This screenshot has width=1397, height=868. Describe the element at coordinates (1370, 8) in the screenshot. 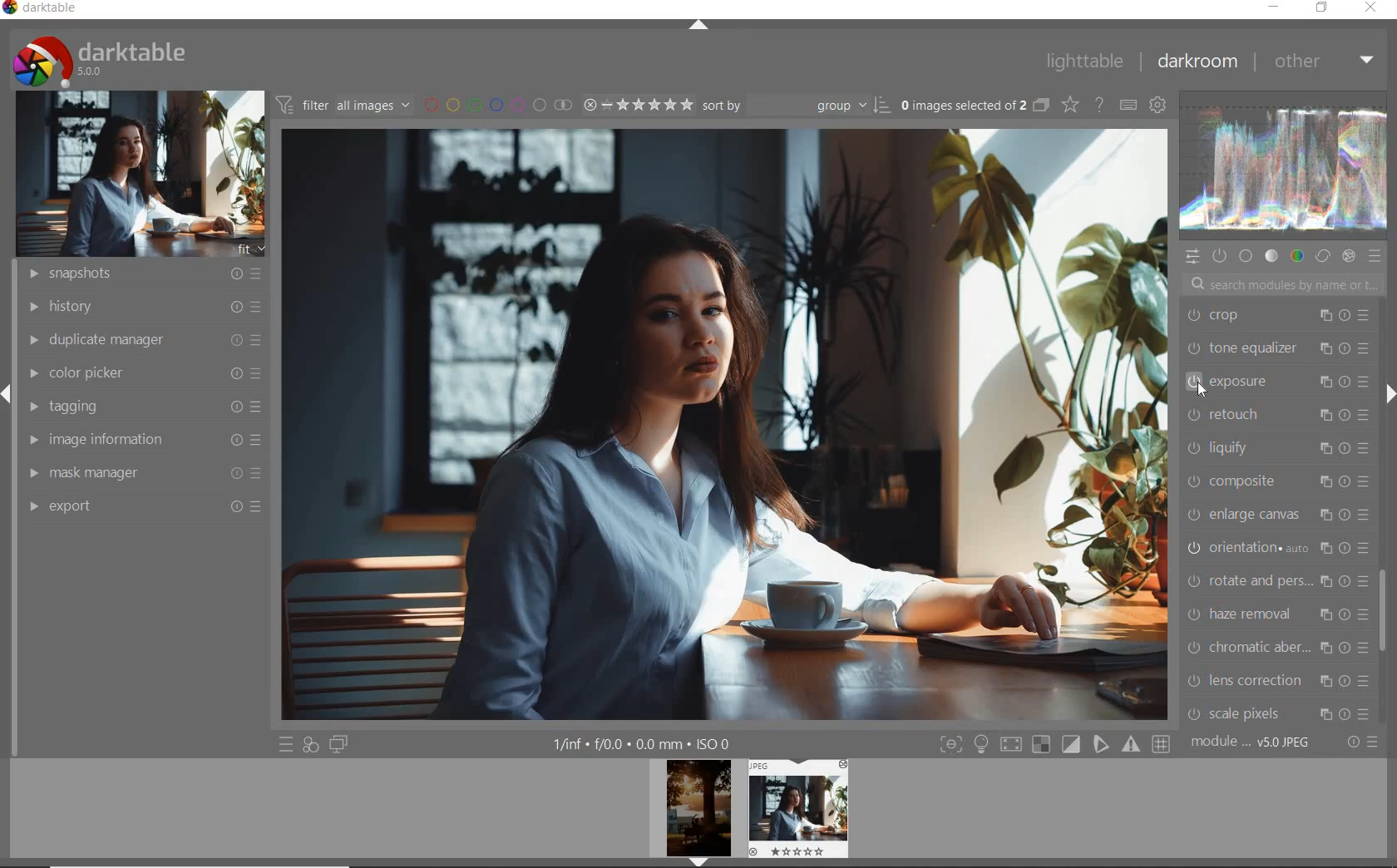

I see `CLOSE` at that location.